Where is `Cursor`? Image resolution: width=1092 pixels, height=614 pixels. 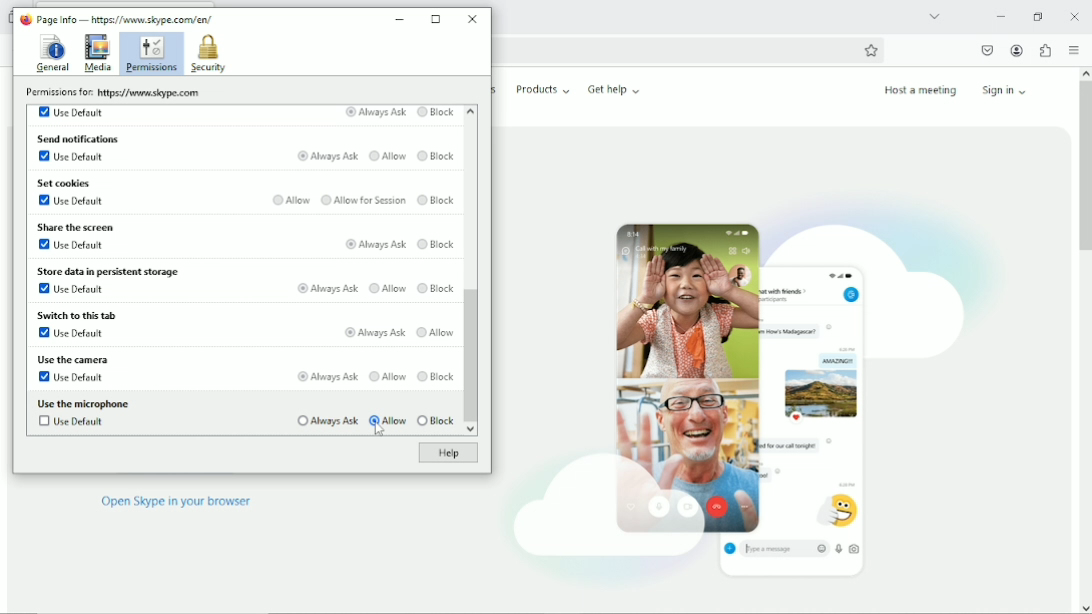 Cursor is located at coordinates (380, 431).